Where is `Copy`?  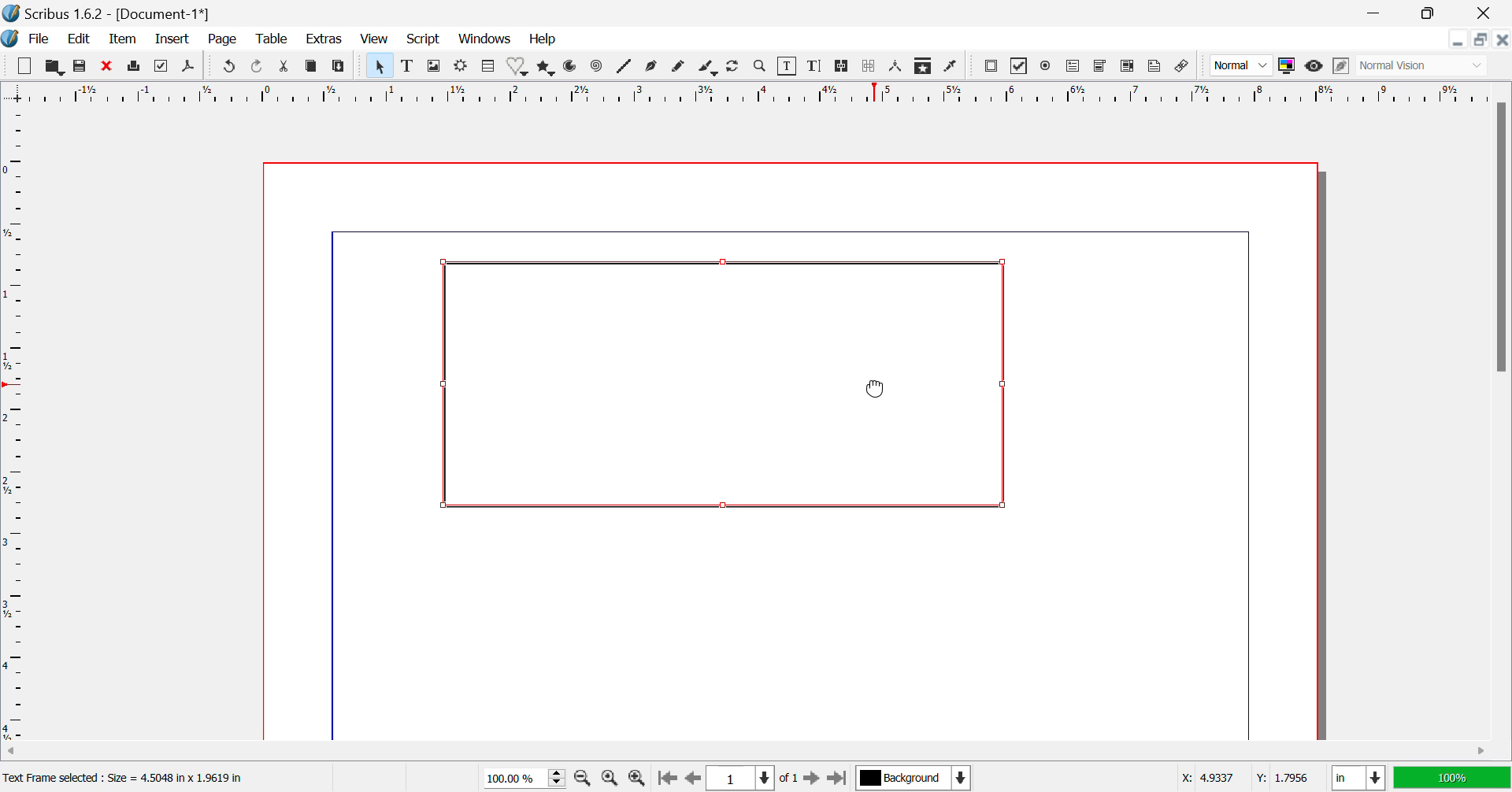 Copy is located at coordinates (312, 66).